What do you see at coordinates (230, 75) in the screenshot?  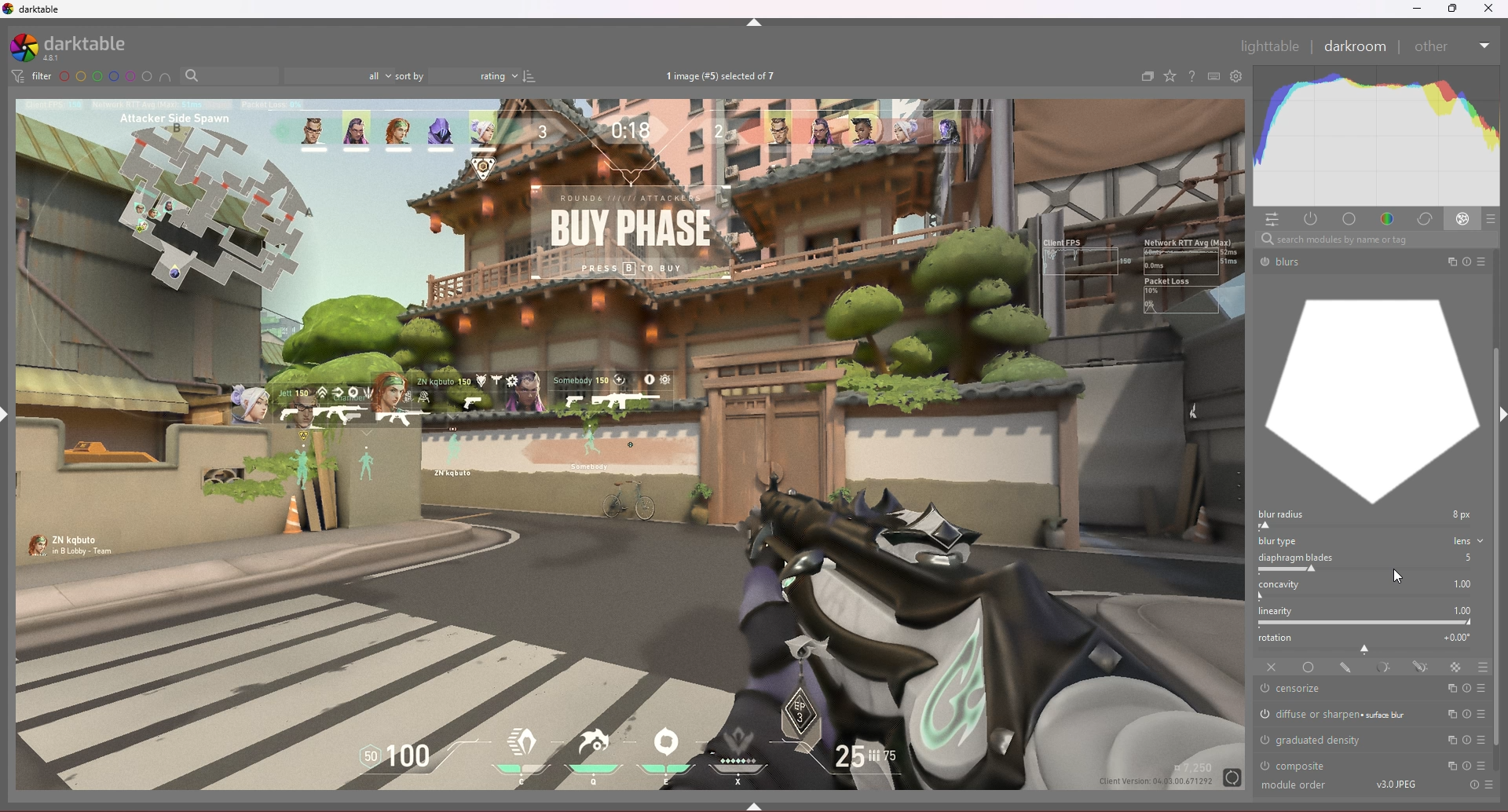 I see `filter by text` at bounding box center [230, 75].